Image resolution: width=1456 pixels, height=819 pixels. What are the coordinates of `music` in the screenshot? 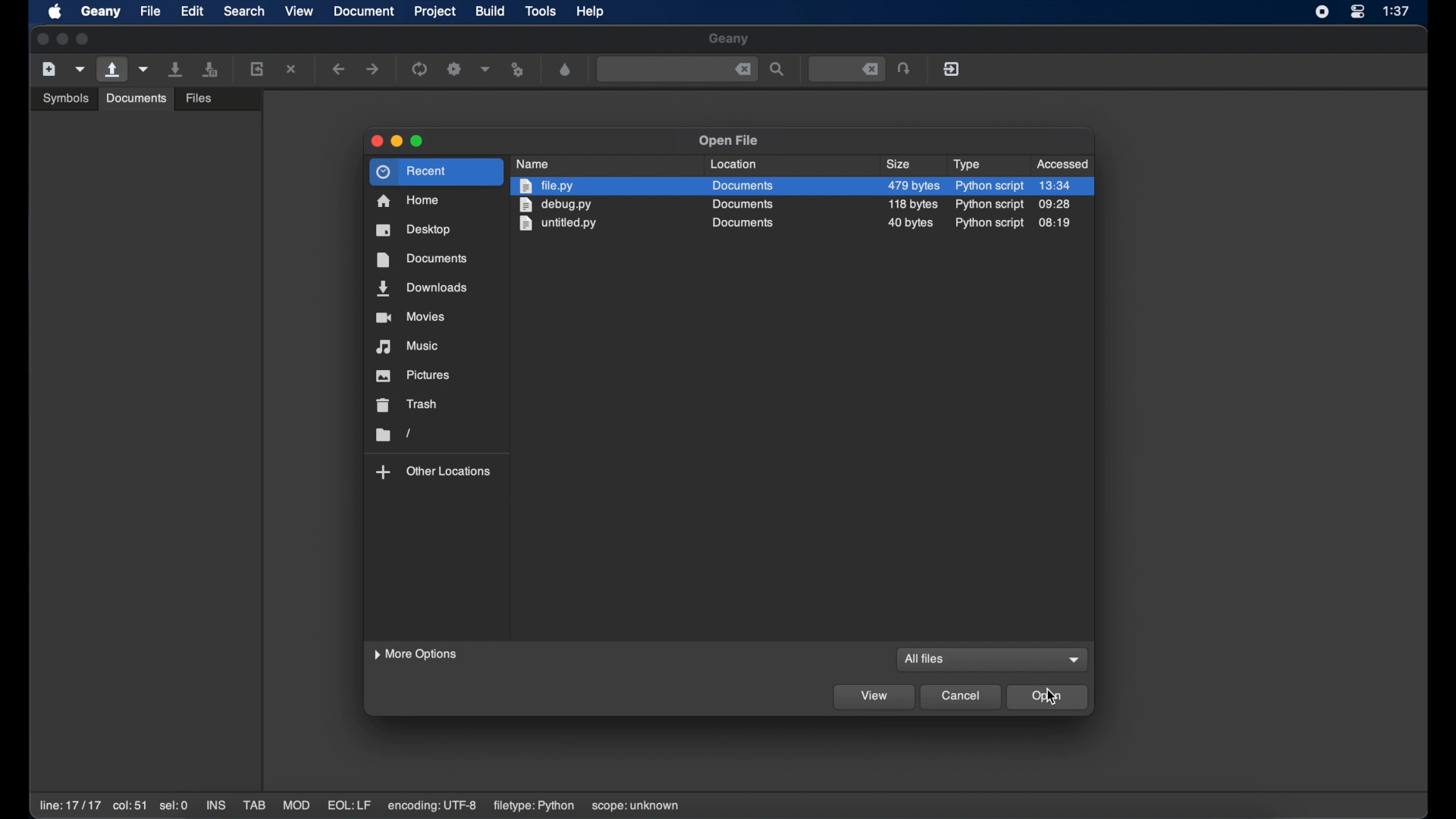 It's located at (409, 347).